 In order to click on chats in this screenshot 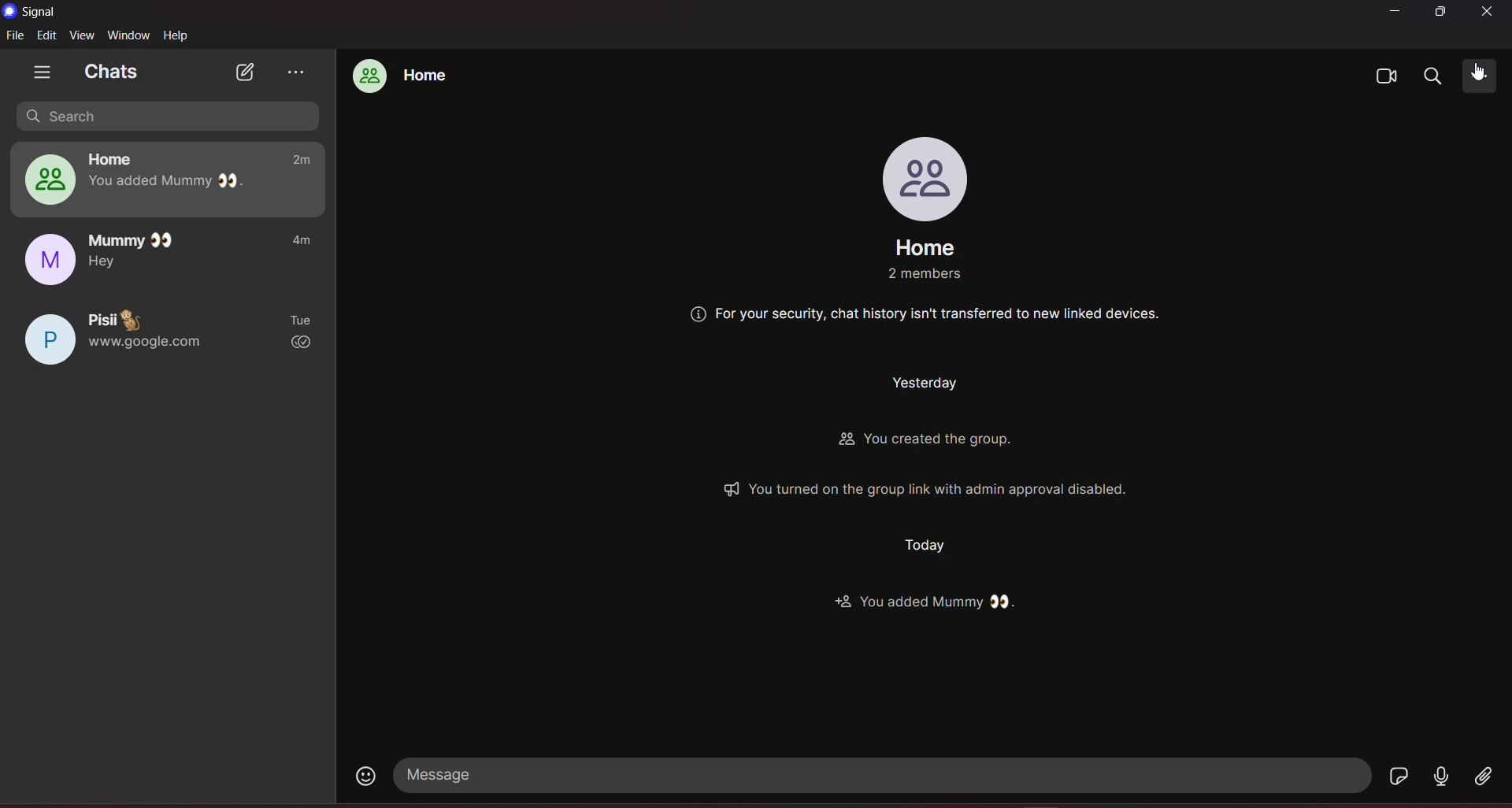, I will do `click(117, 72)`.